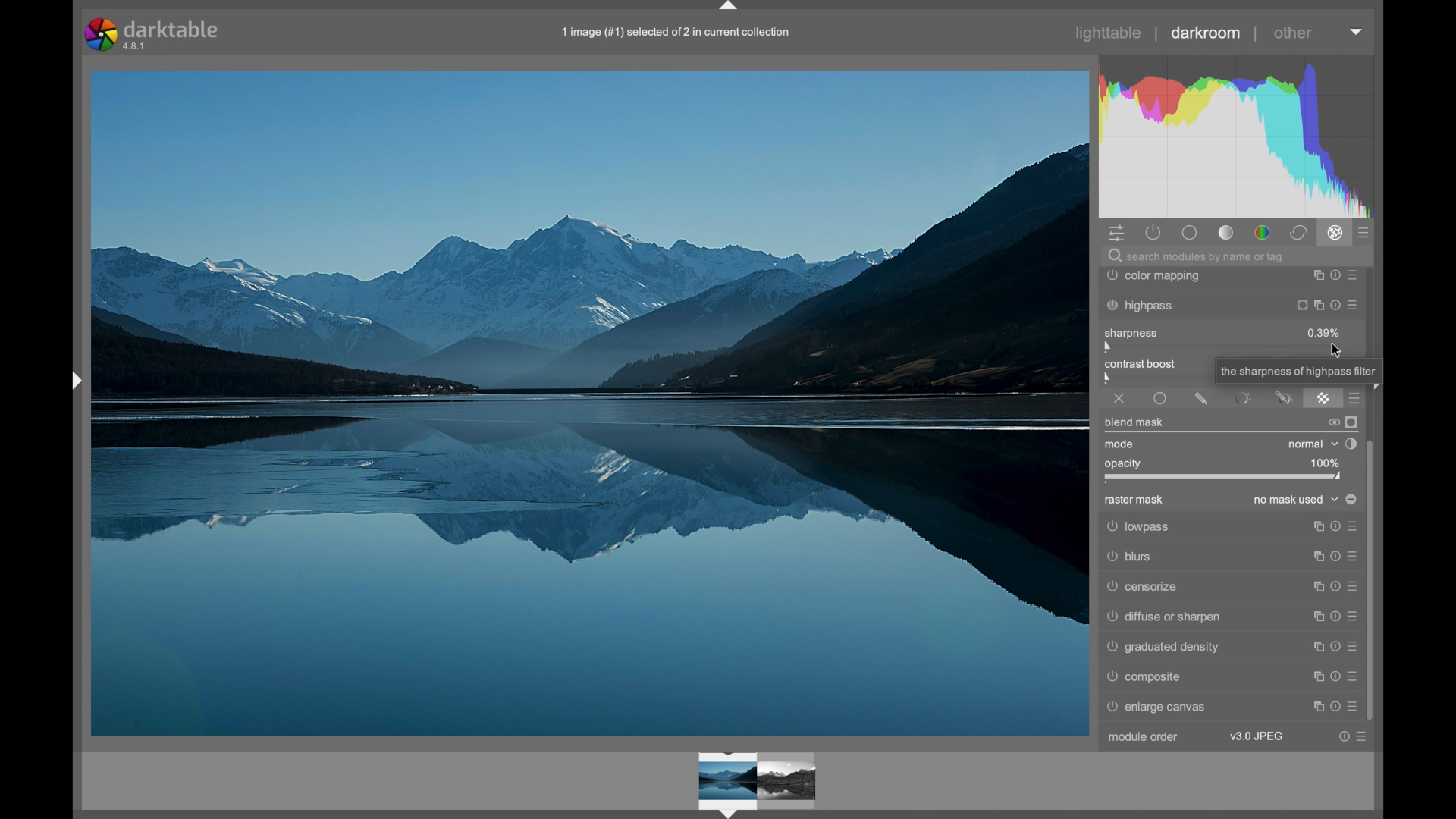 The height and width of the screenshot is (819, 1456). Describe the element at coordinates (1332, 424) in the screenshot. I see `switch off blend mask` at that location.